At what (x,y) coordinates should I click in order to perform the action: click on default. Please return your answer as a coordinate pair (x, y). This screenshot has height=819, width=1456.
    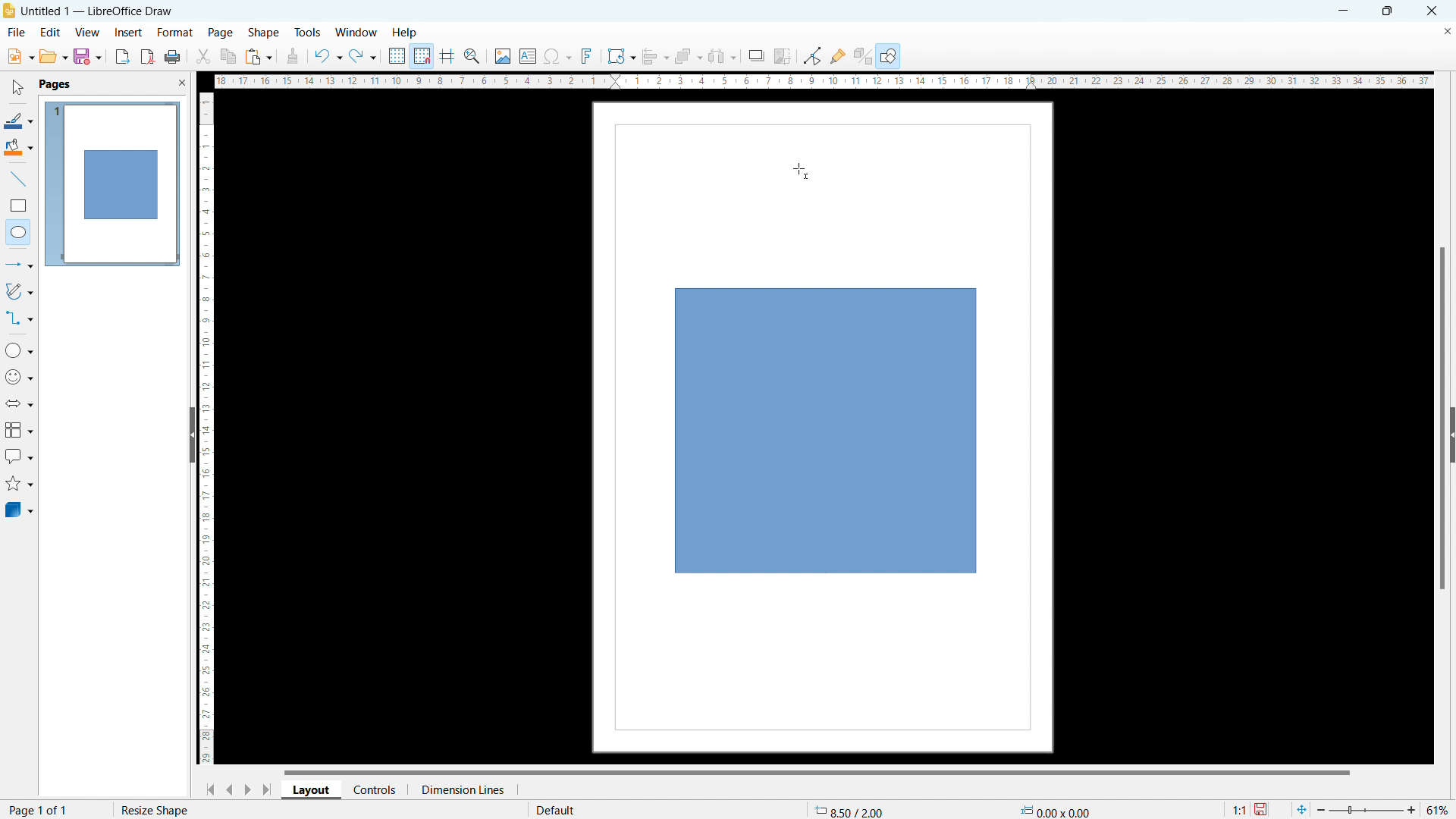
    Looking at the image, I should click on (554, 809).